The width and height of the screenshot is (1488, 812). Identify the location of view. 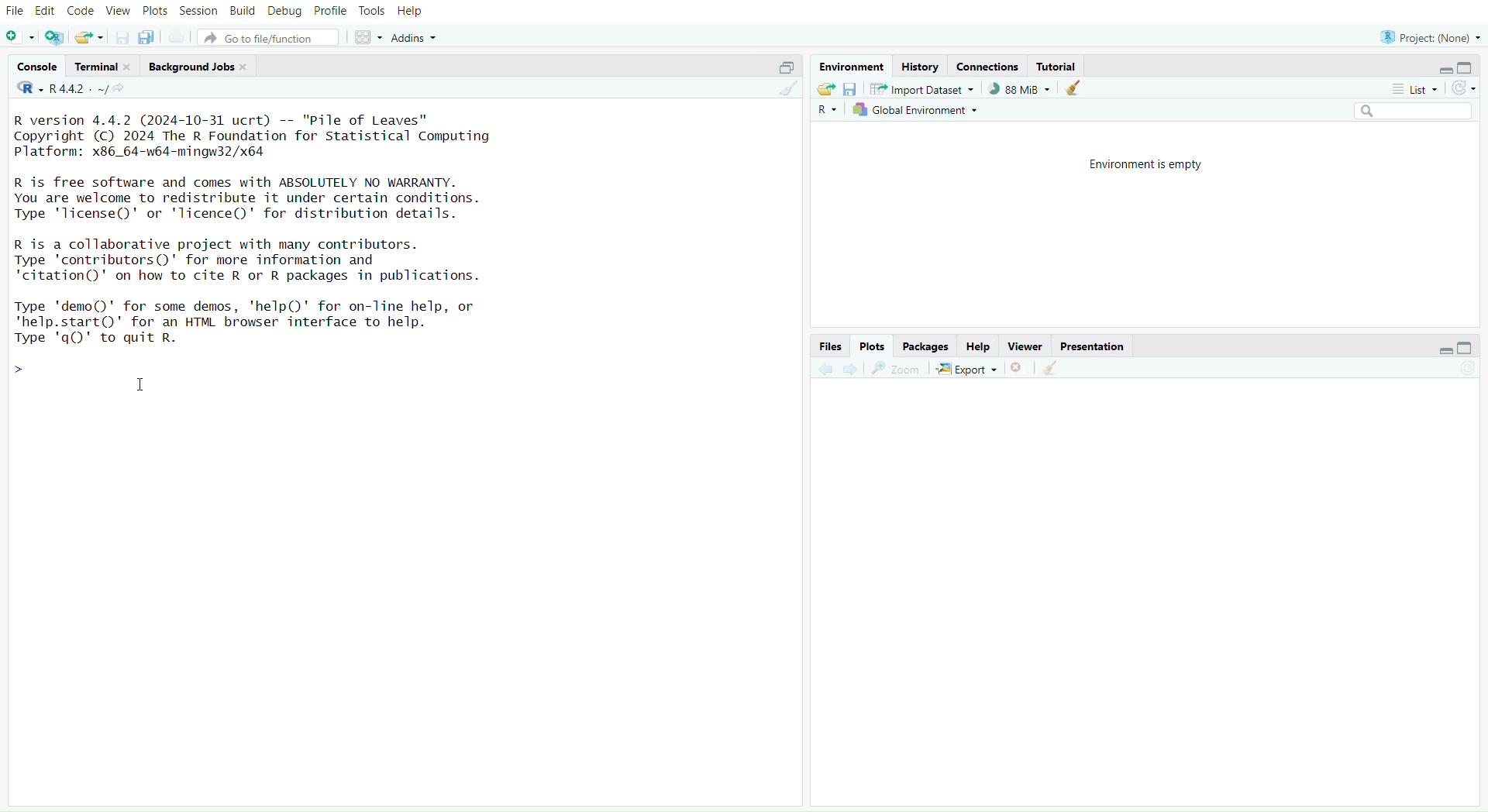
(119, 12).